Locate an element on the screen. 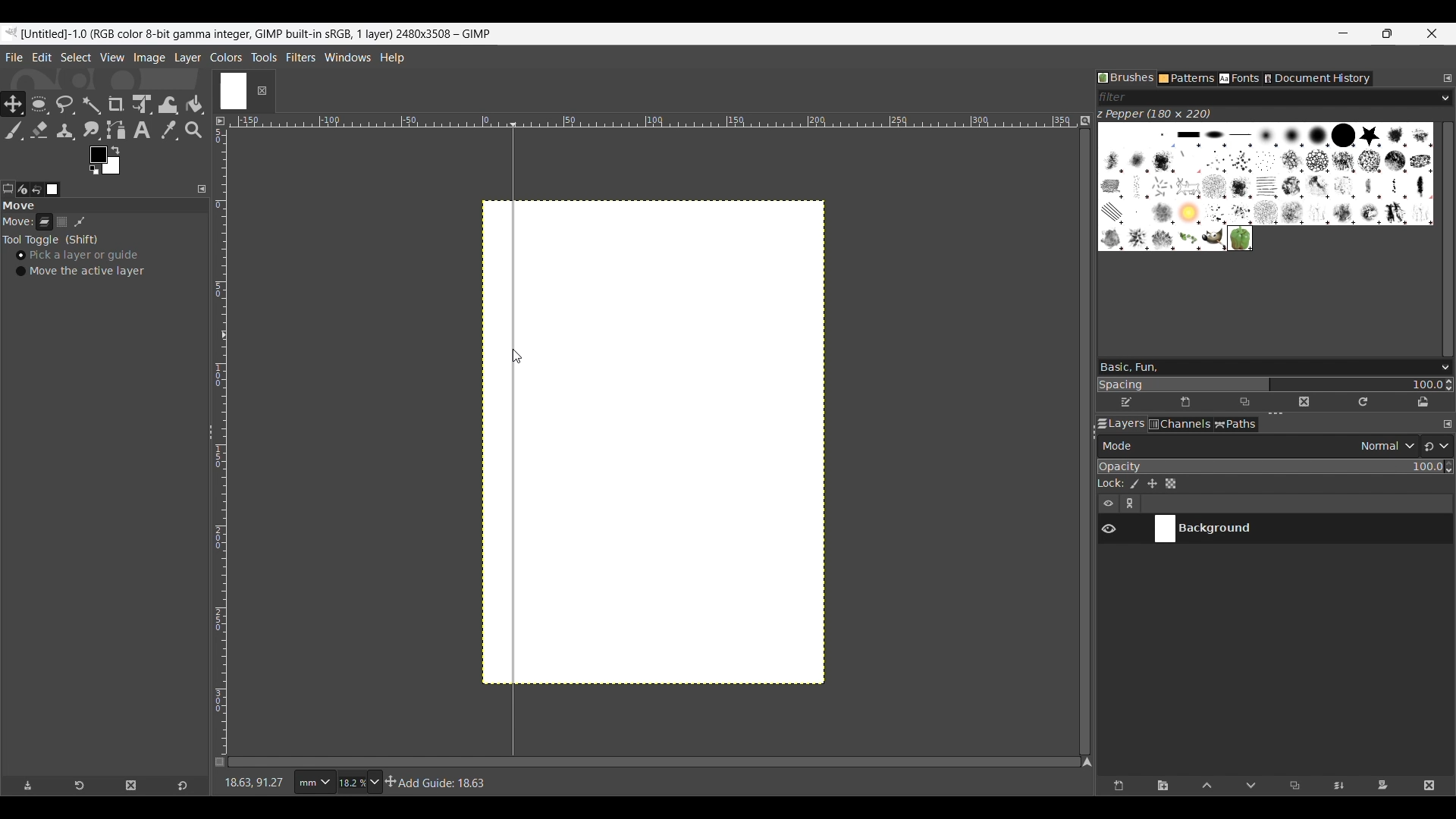 The width and height of the screenshot is (1456, 819). Change width of panels attached to this line is located at coordinates (1079, 437).